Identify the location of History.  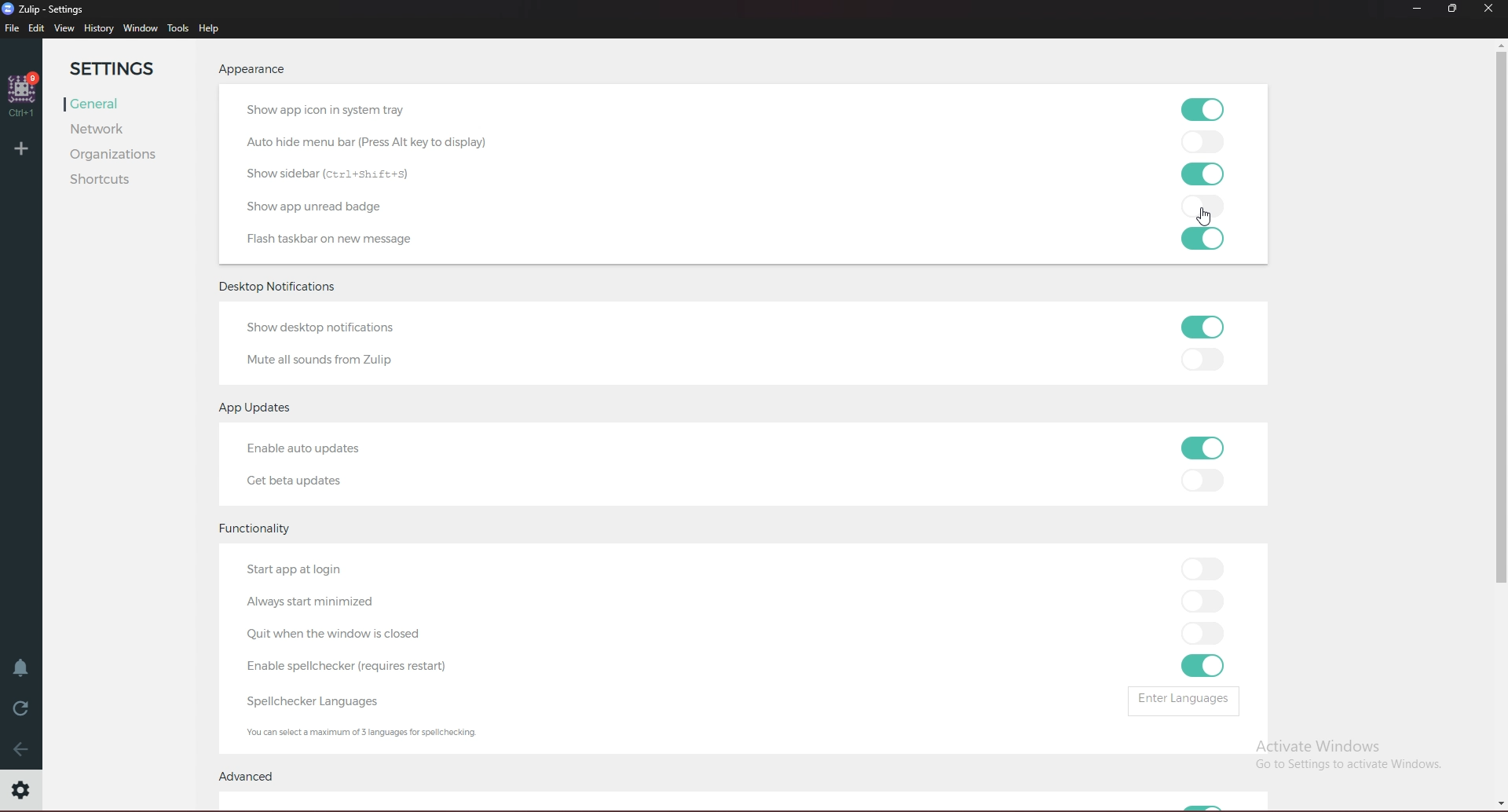
(99, 28).